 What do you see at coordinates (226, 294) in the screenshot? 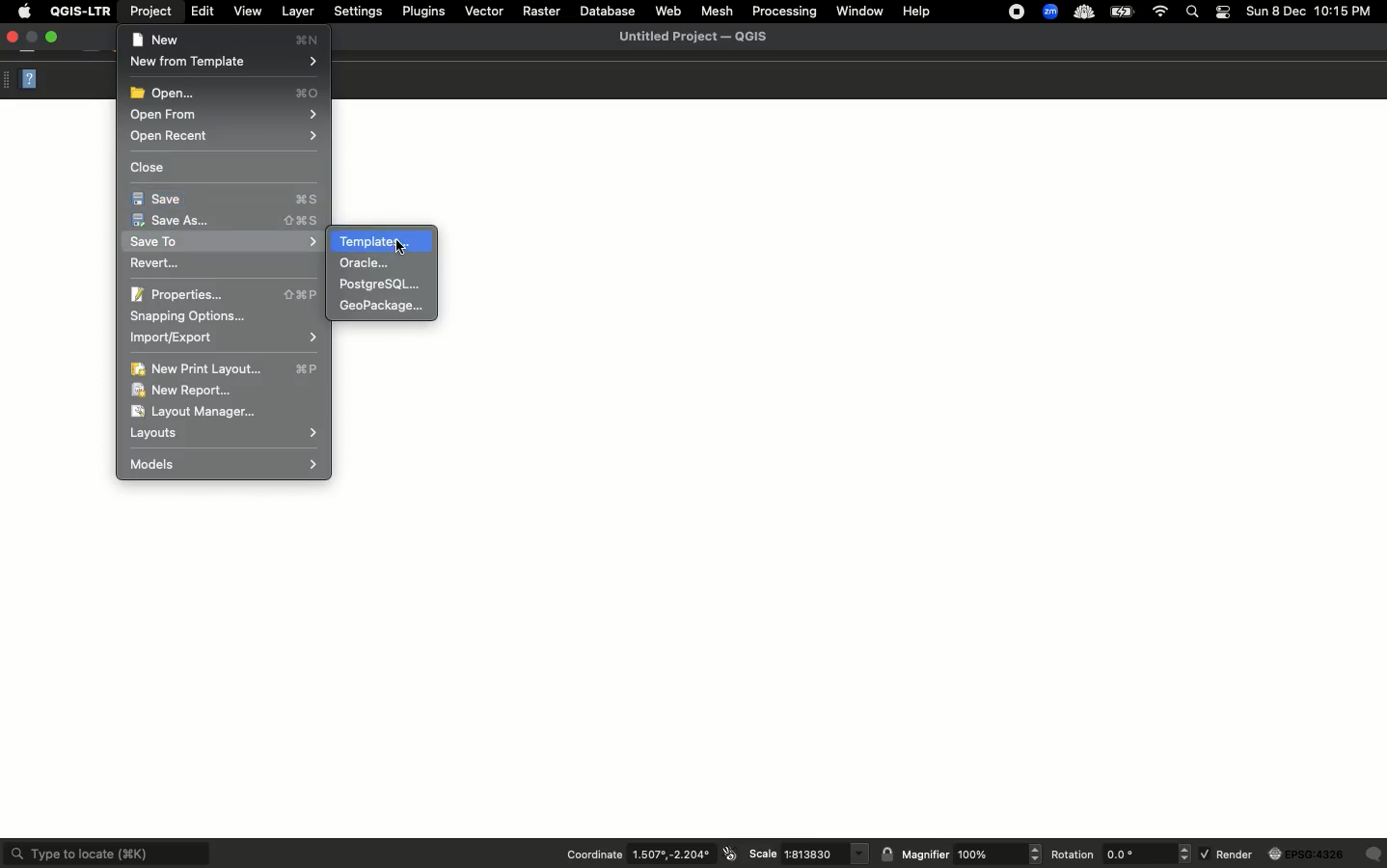
I see `Properties ` at bounding box center [226, 294].